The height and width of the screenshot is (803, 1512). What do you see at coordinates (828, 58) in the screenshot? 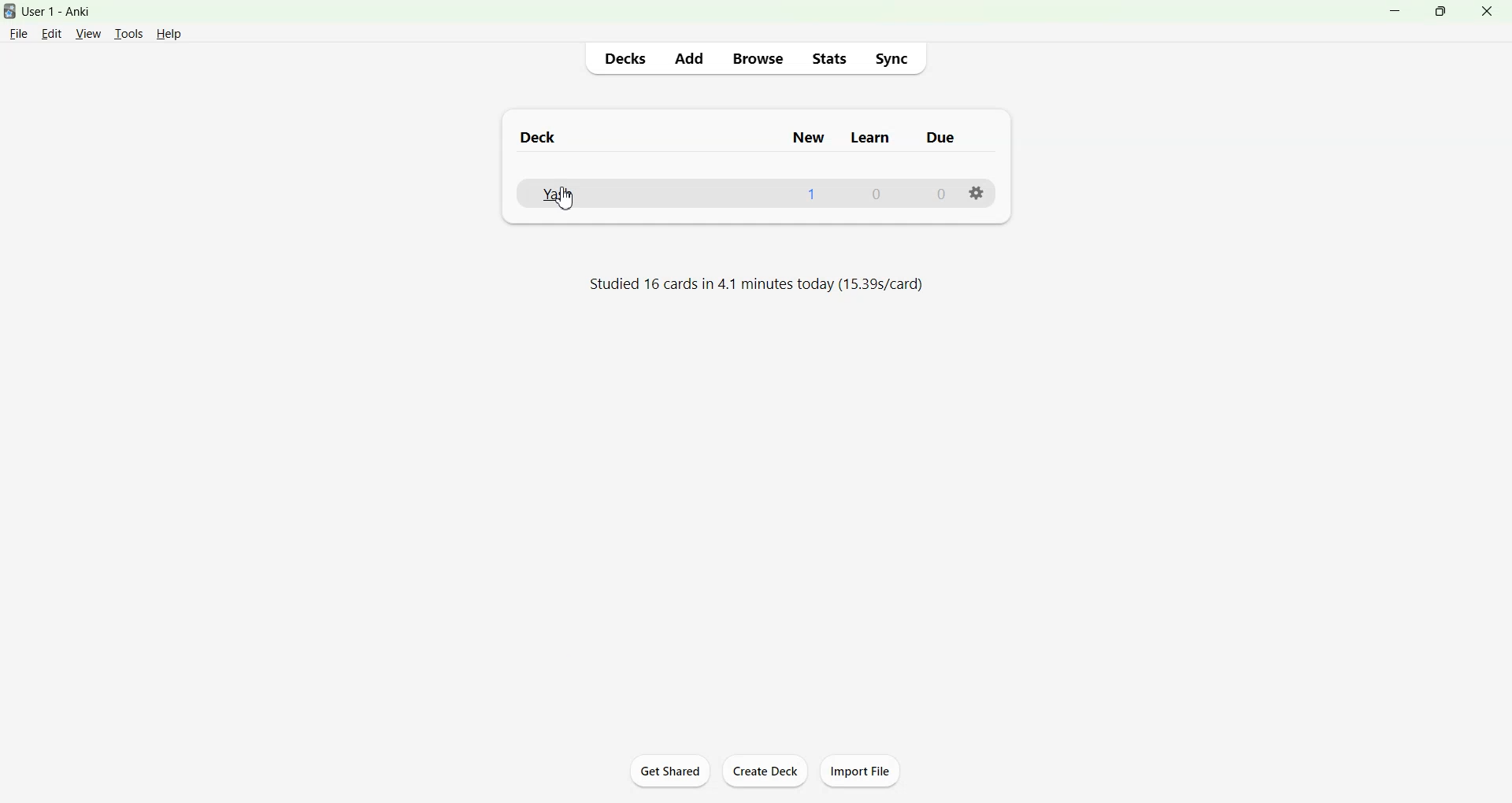
I see `Stats` at bounding box center [828, 58].